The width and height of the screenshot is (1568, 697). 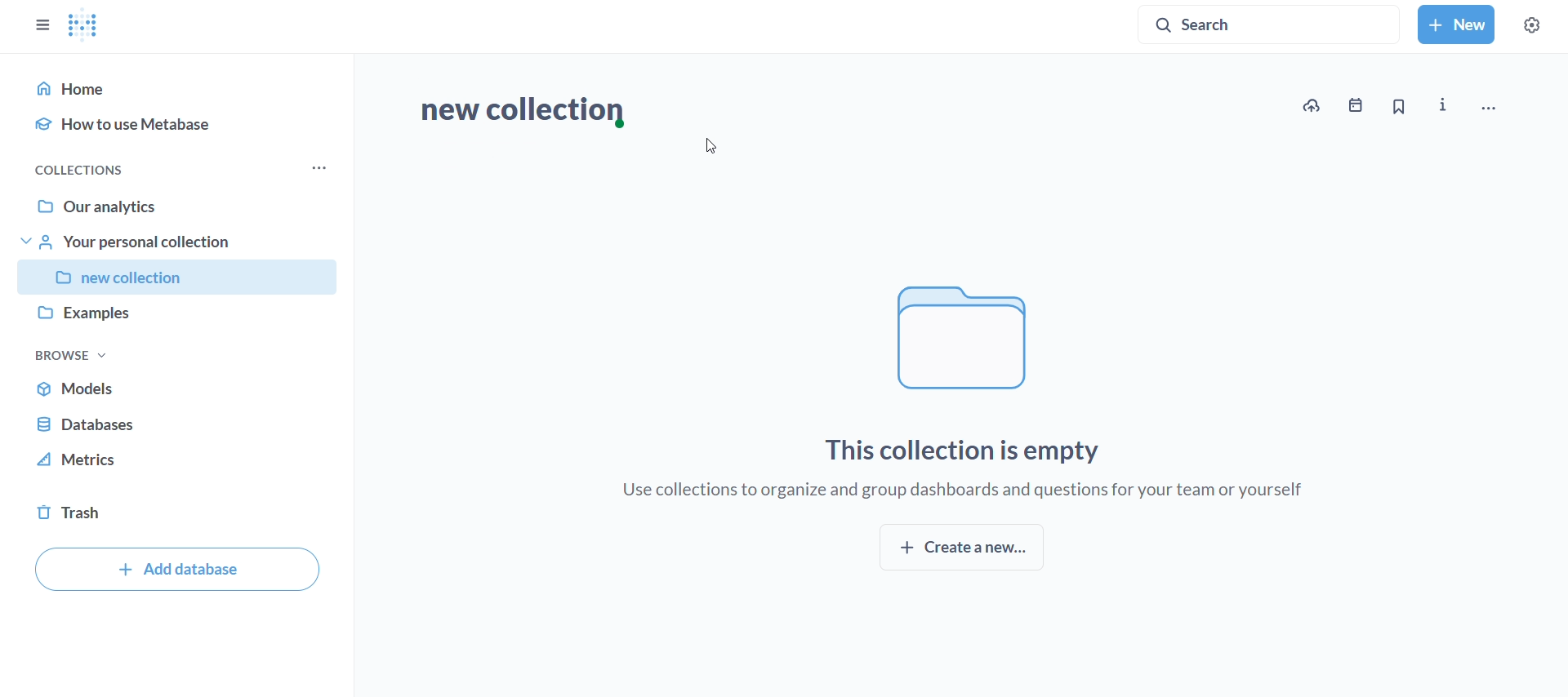 What do you see at coordinates (177, 569) in the screenshot?
I see `add database` at bounding box center [177, 569].